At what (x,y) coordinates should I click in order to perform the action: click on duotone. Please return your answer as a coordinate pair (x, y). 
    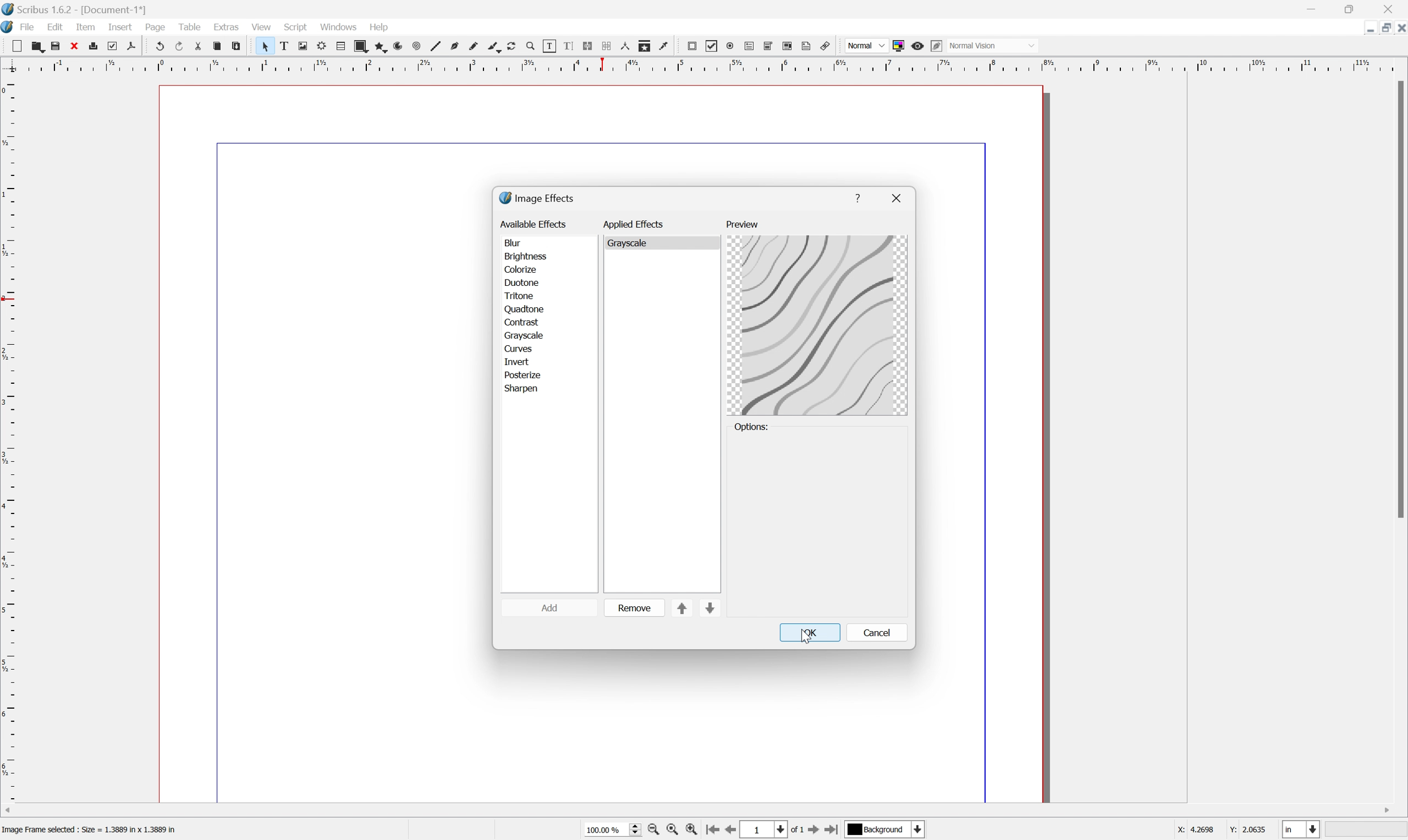
    Looking at the image, I should click on (521, 282).